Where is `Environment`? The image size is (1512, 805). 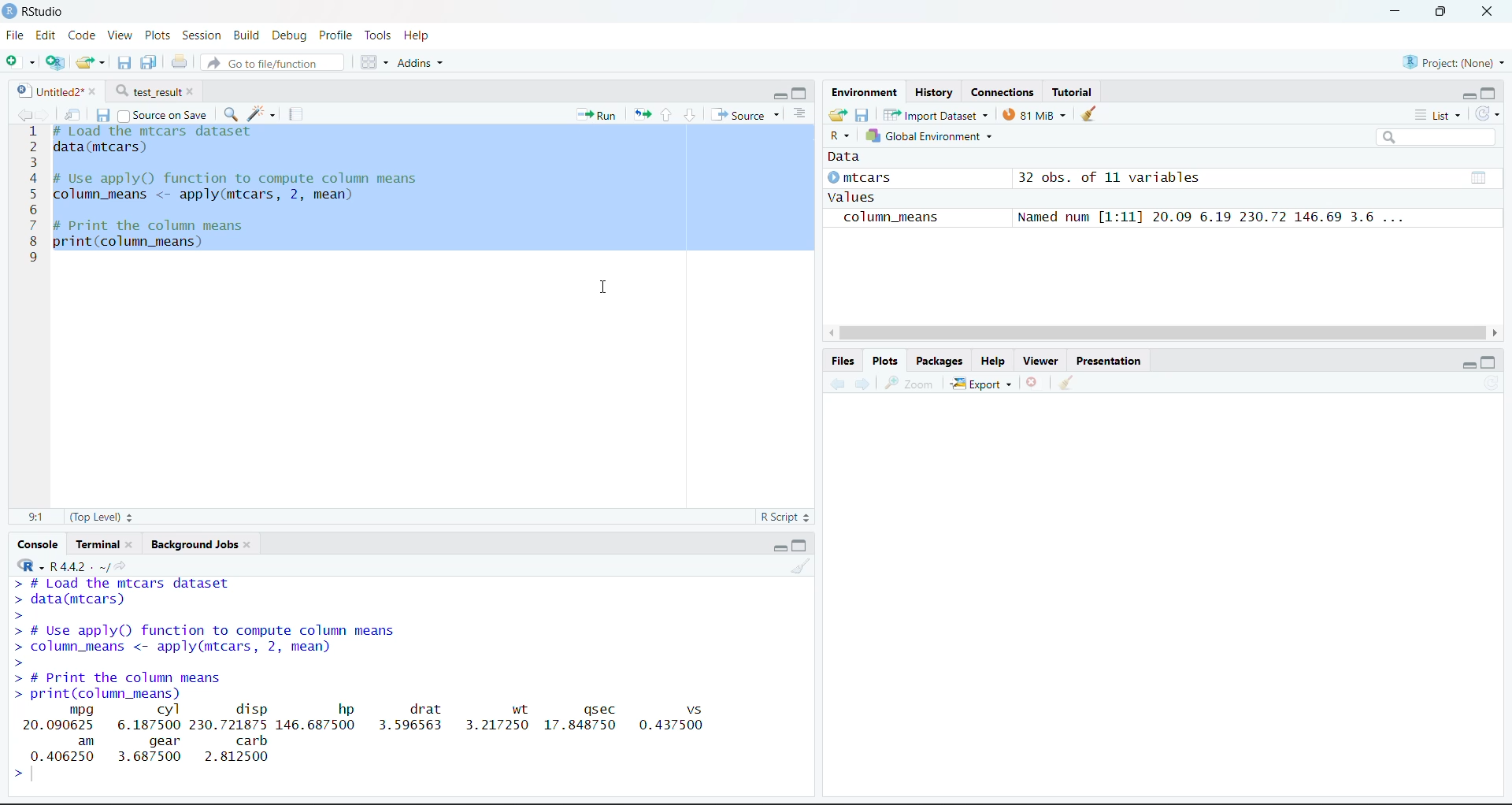
Environment is located at coordinates (865, 92).